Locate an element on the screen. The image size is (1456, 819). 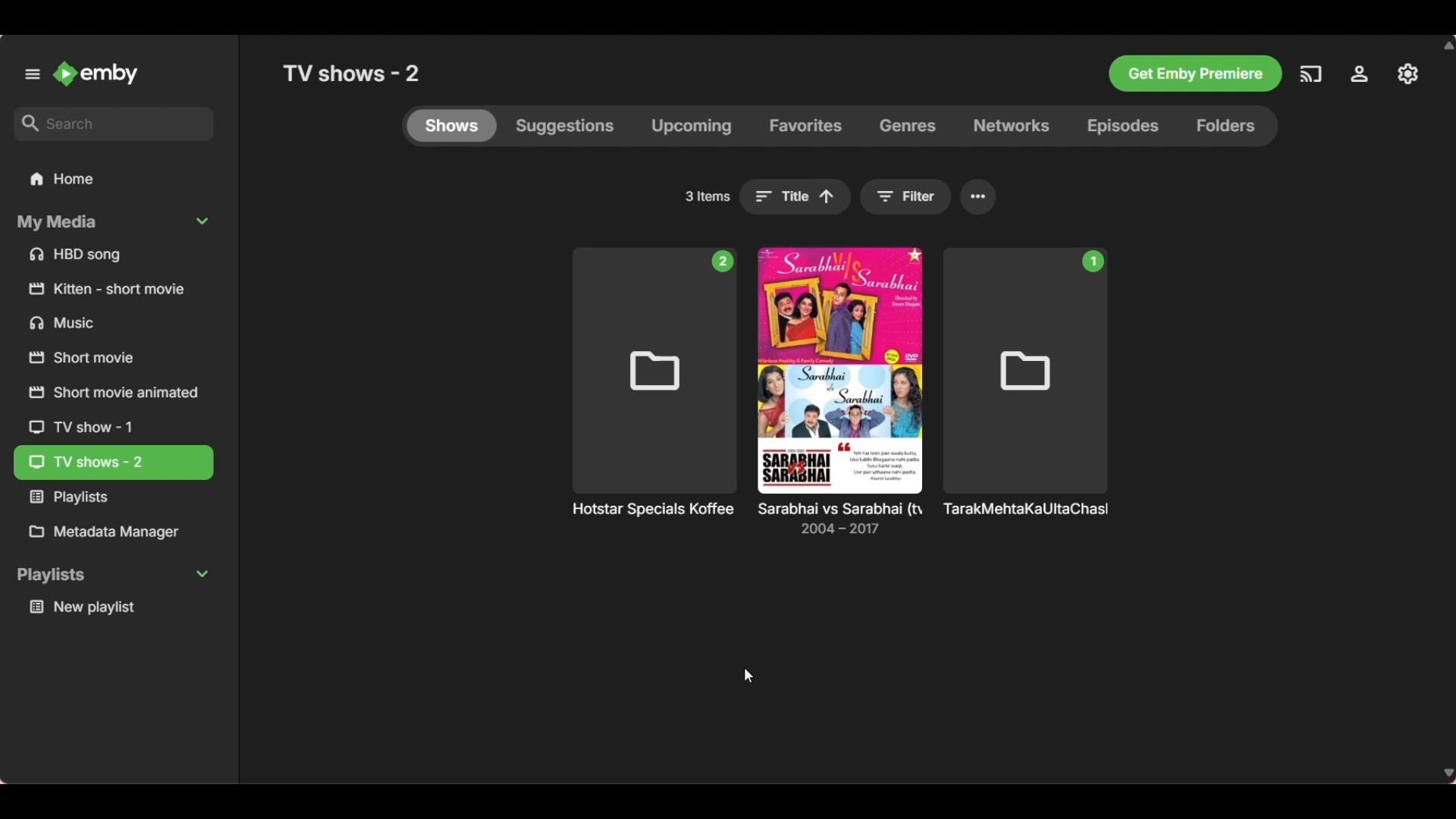
Metadata Manager is located at coordinates (112, 532).